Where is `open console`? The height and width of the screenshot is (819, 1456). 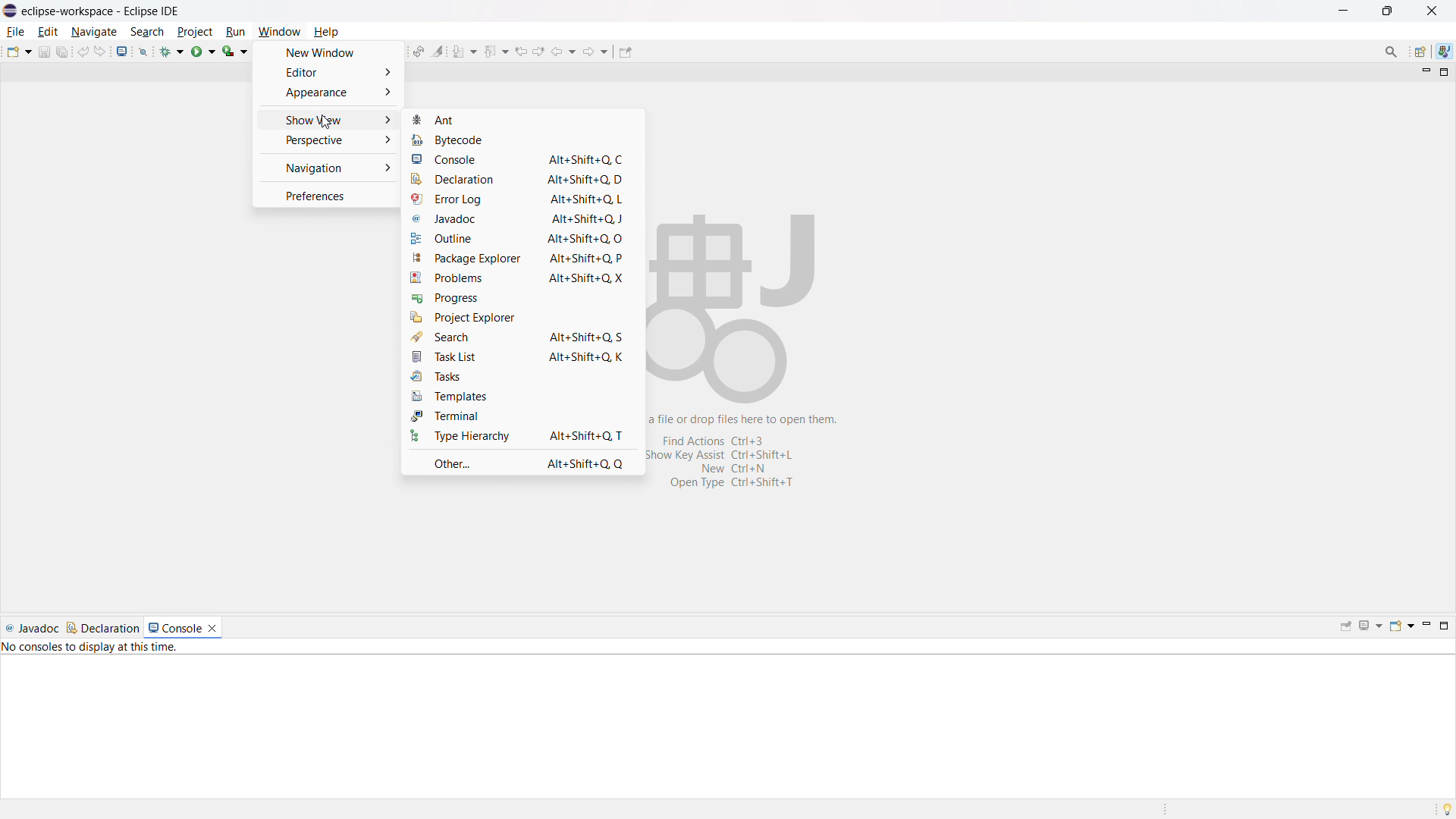 open console is located at coordinates (123, 51).